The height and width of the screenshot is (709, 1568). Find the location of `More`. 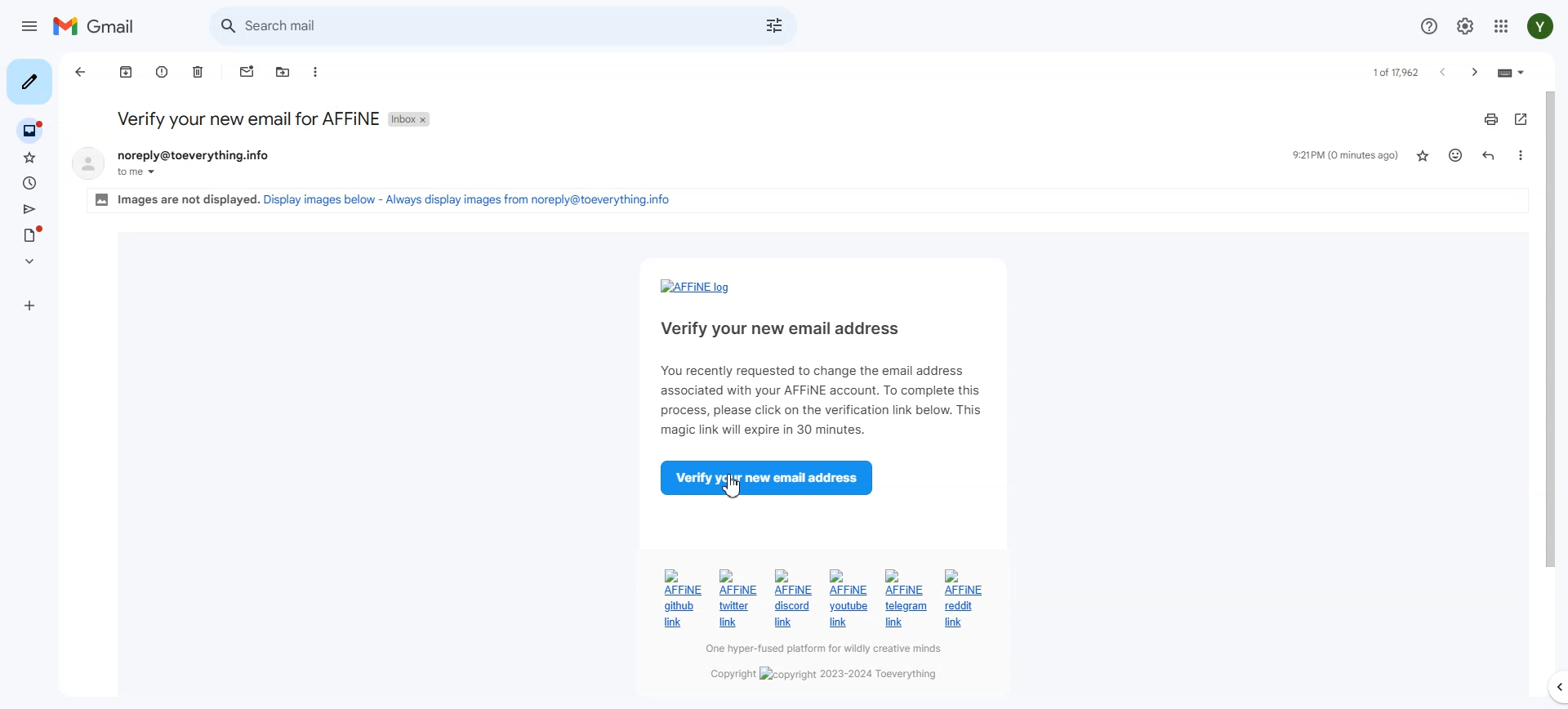

More is located at coordinates (30, 261).